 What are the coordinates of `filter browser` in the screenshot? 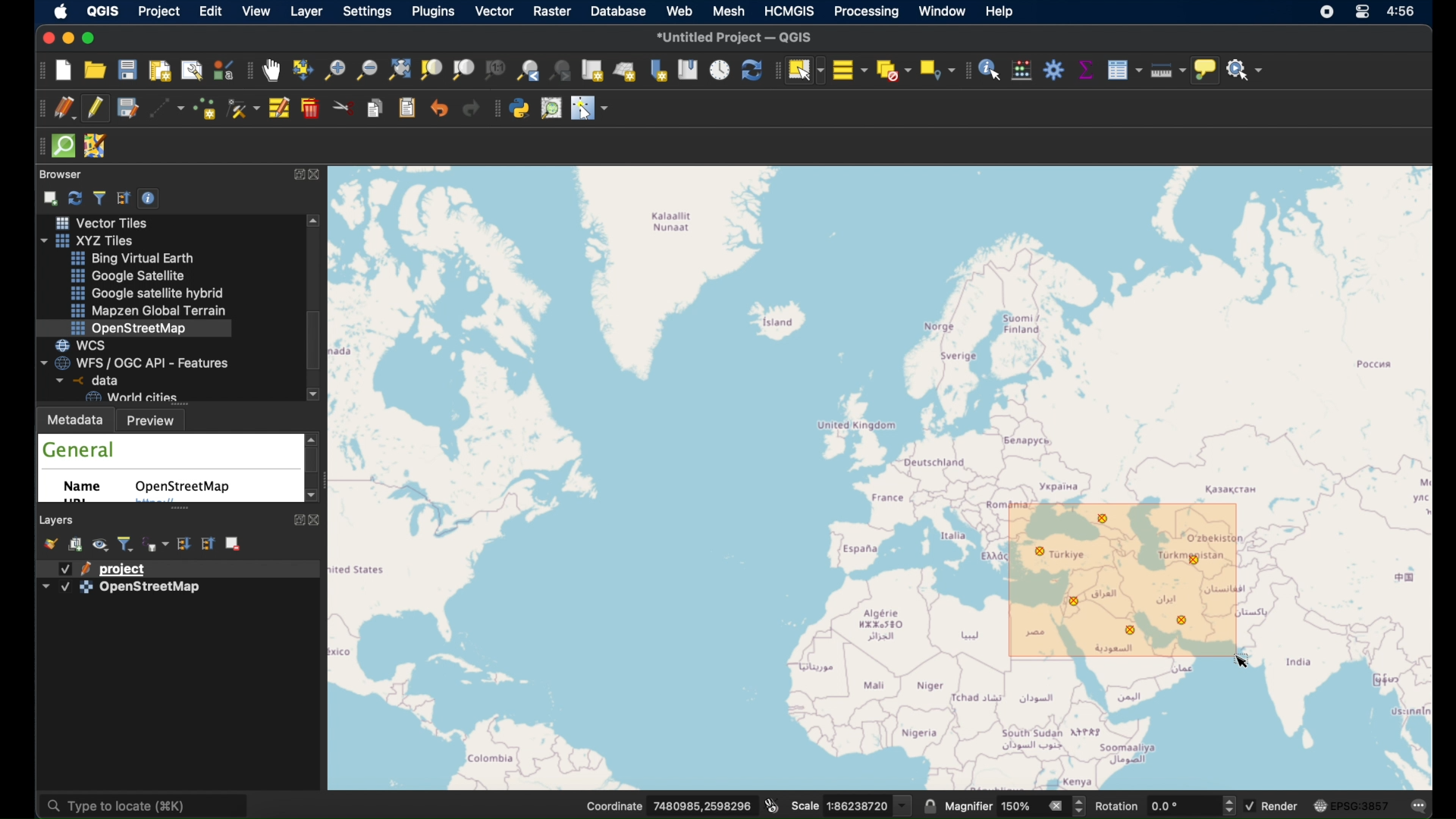 It's located at (99, 196).